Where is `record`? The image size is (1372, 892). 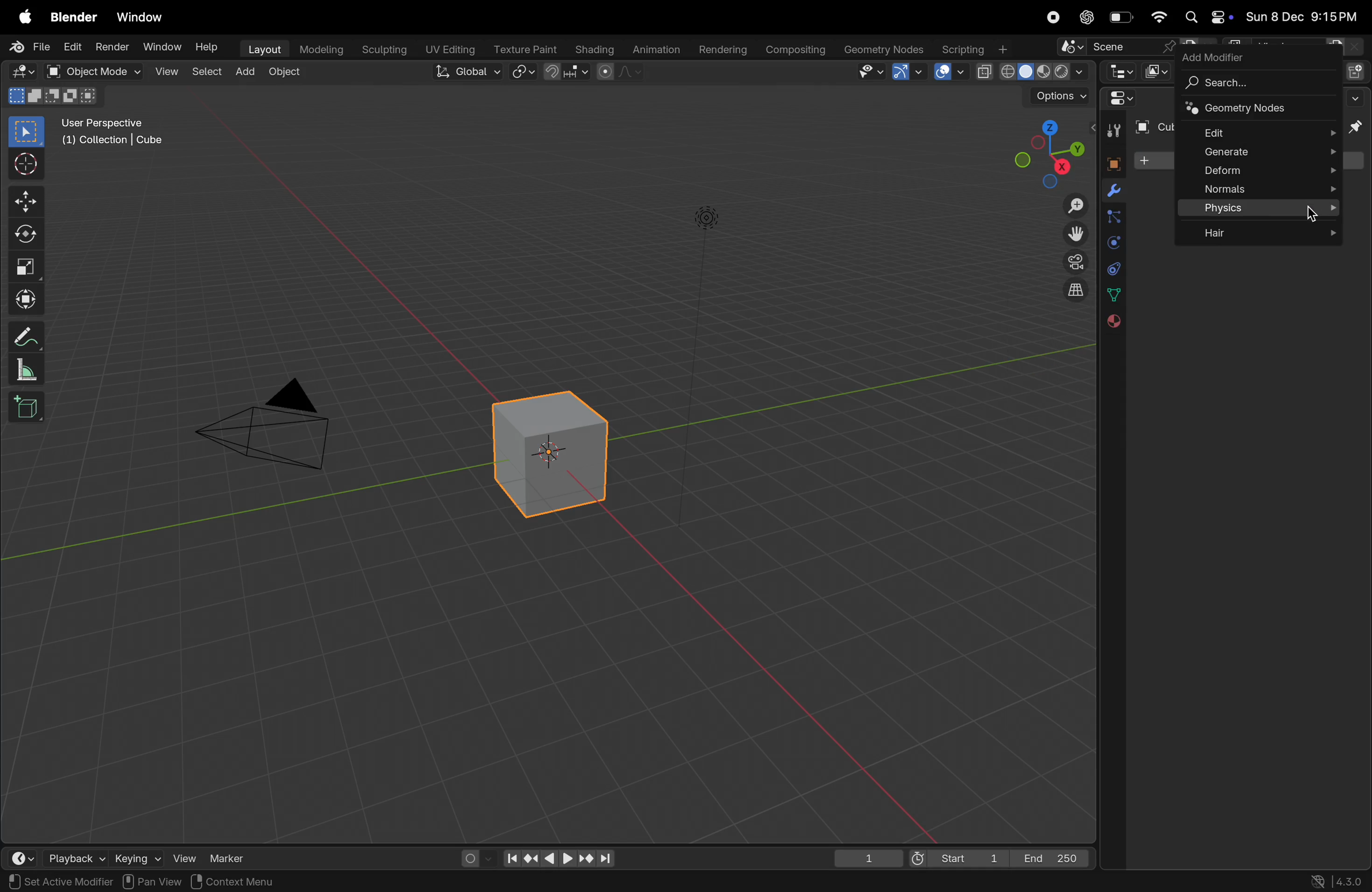 record is located at coordinates (1051, 17).